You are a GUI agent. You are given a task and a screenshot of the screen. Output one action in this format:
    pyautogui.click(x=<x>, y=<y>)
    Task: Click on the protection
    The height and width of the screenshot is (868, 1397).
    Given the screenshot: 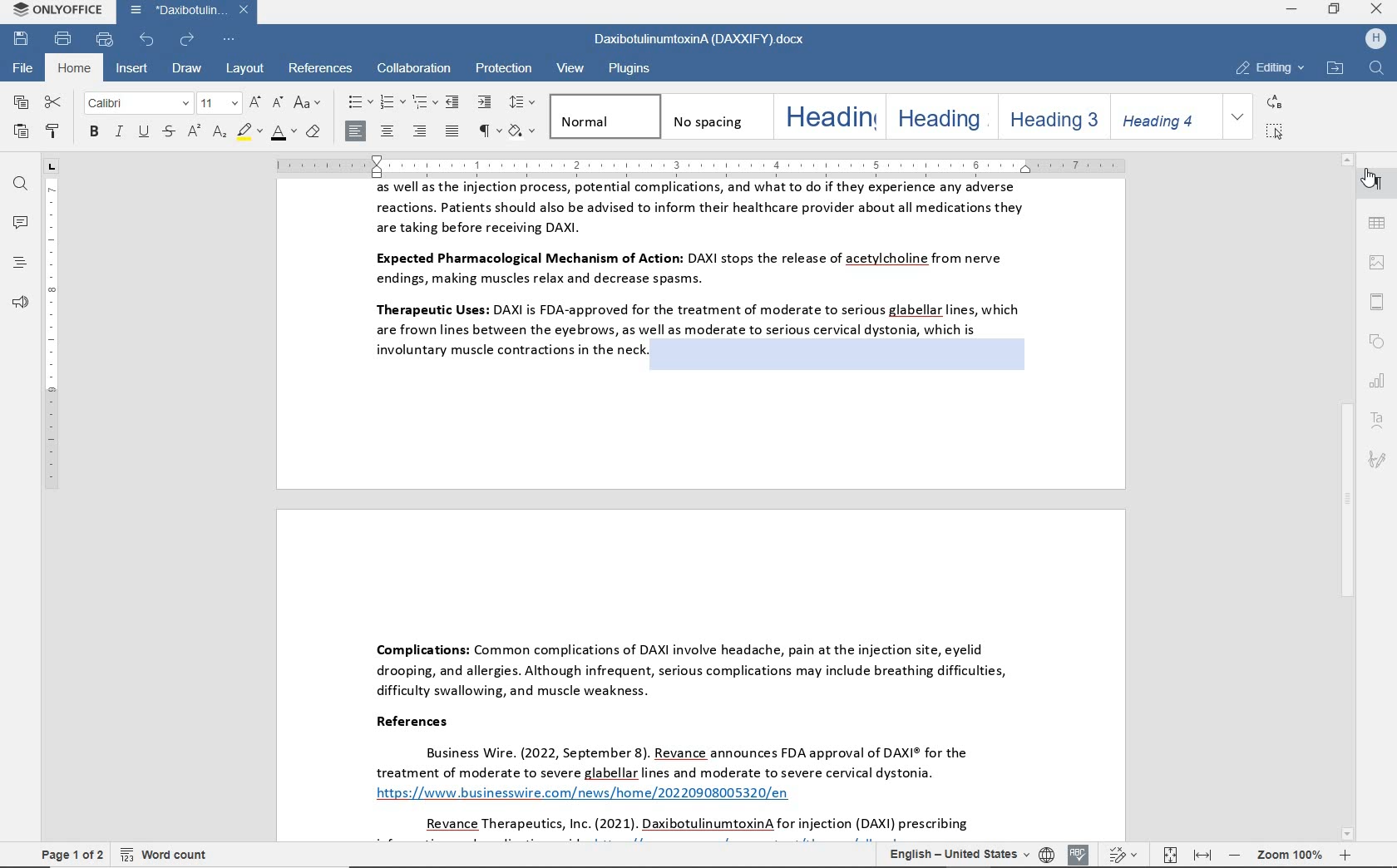 What is the action you would take?
    pyautogui.click(x=503, y=67)
    